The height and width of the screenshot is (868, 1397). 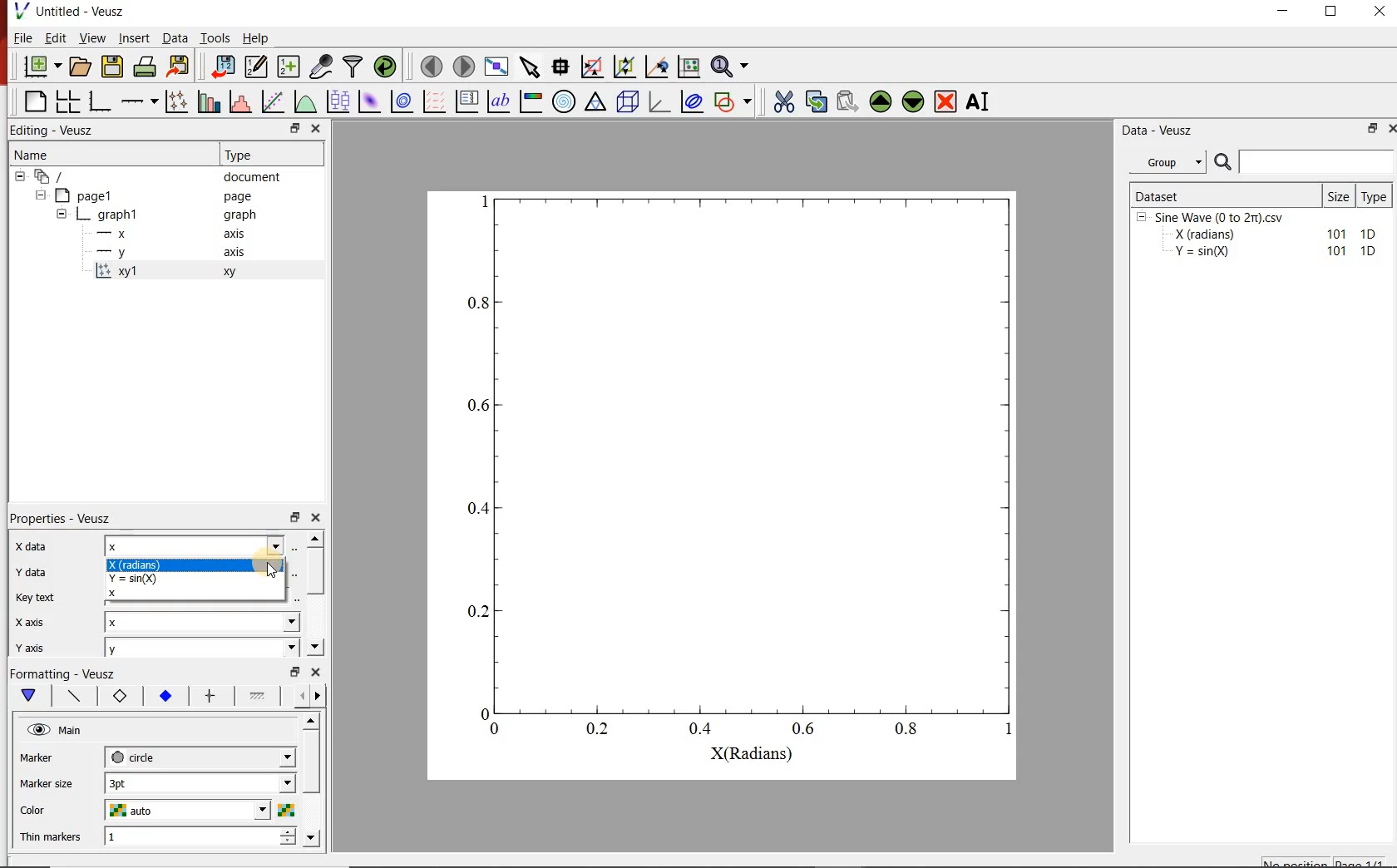 What do you see at coordinates (21, 10) in the screenshot?
I see `Logo` at bounding box center [21, 10].